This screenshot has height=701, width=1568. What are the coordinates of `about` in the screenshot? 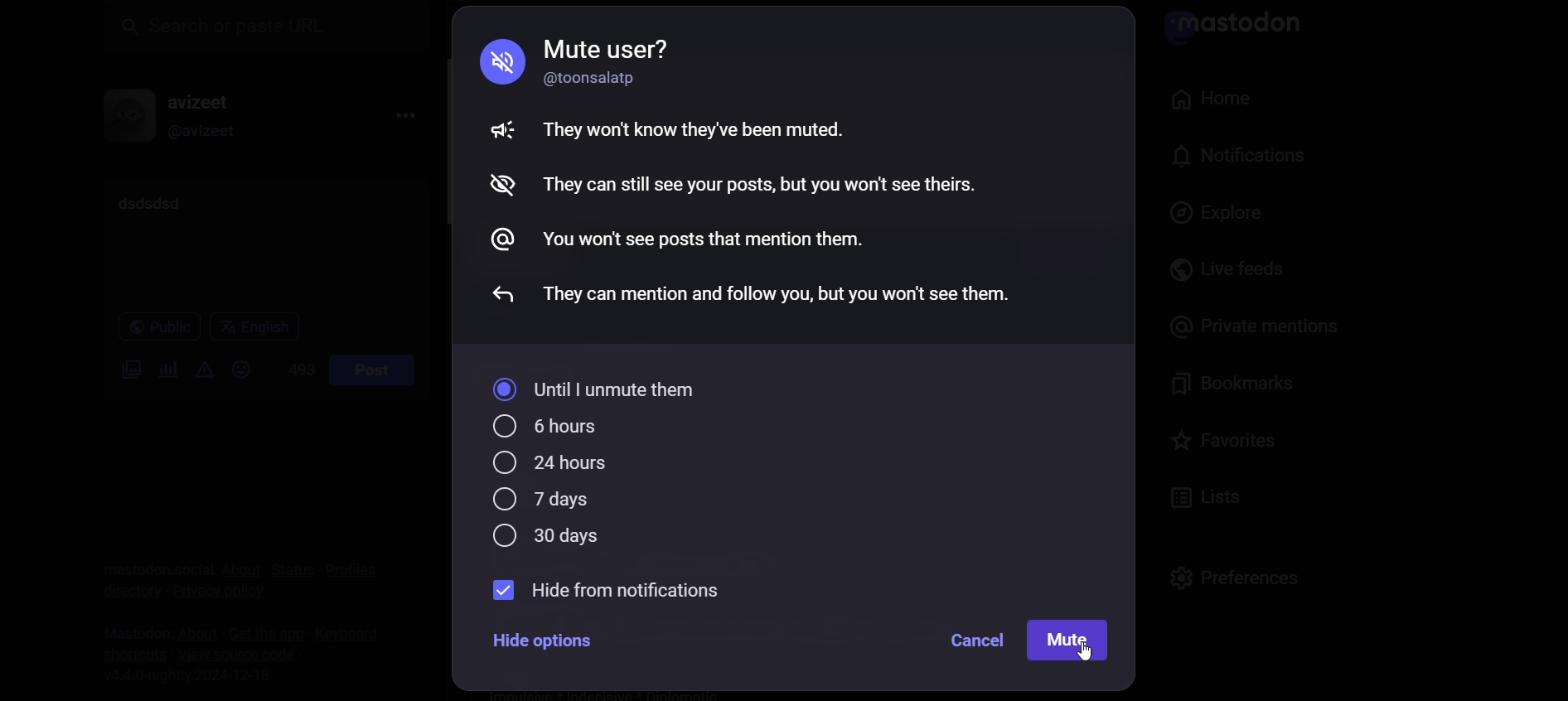 It's located at (236, 563).